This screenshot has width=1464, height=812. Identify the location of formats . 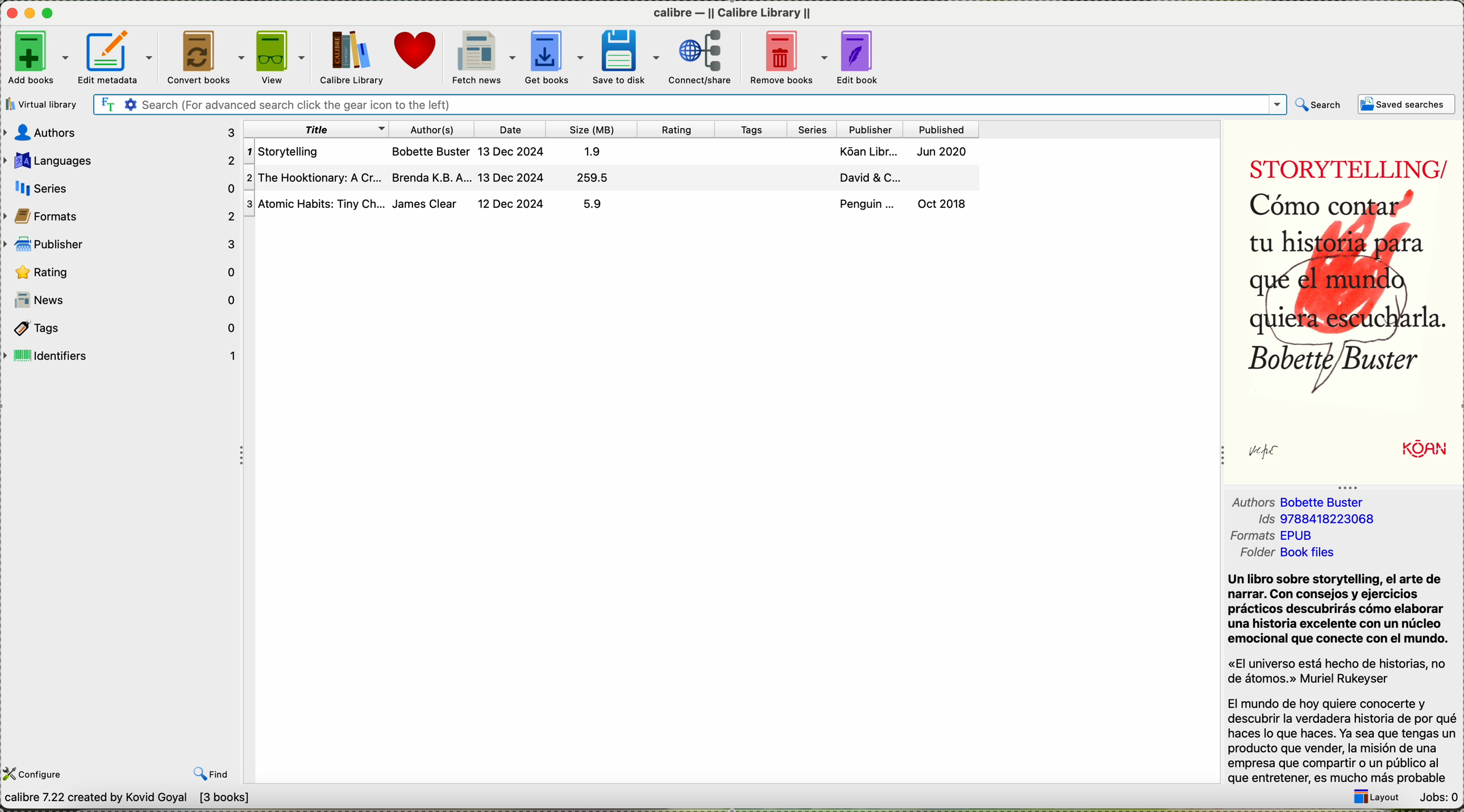
(1252, 537).